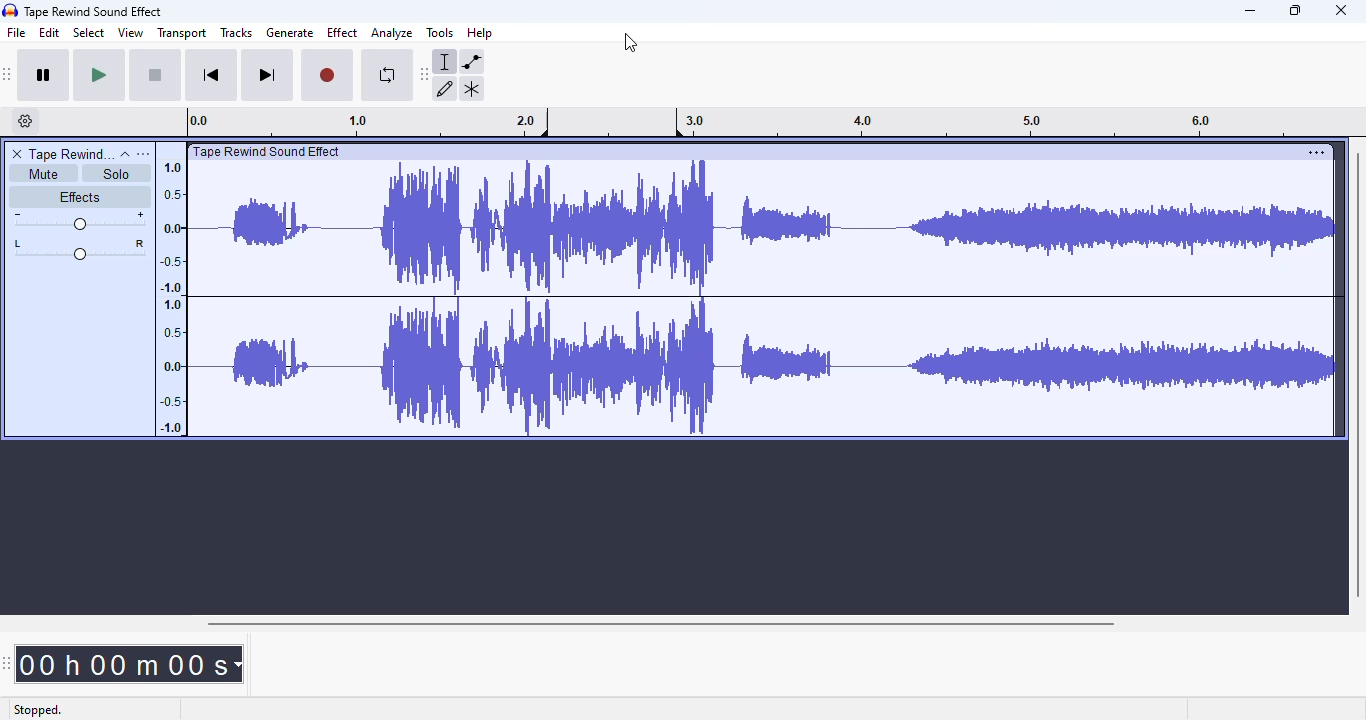  What do you see at coordinates (425, 73) in the screenshot?
I see `audacity tools toolbar` at bounding box center [425, 73].